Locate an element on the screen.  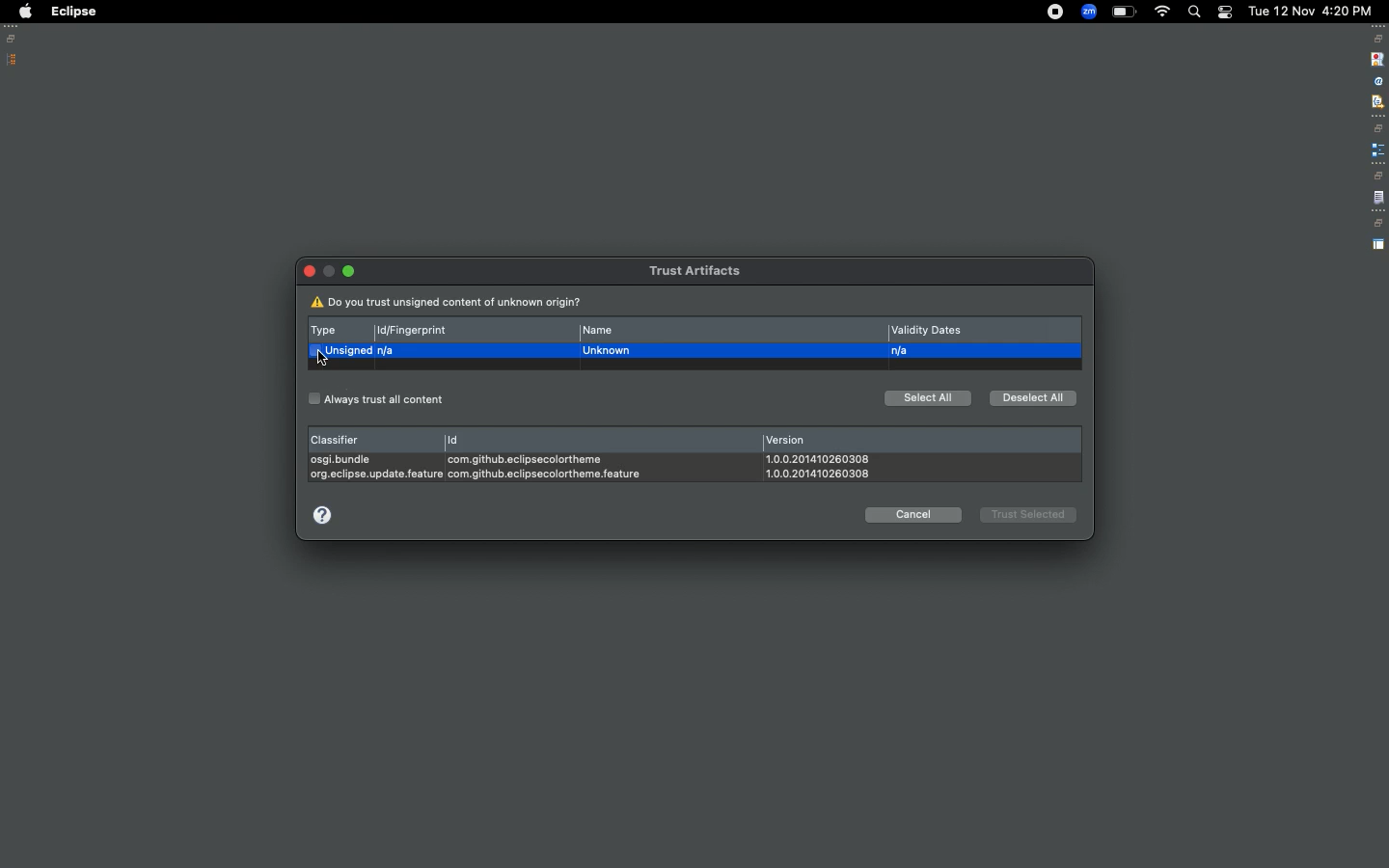
Deselect all is located at coordinates (1030, 397).